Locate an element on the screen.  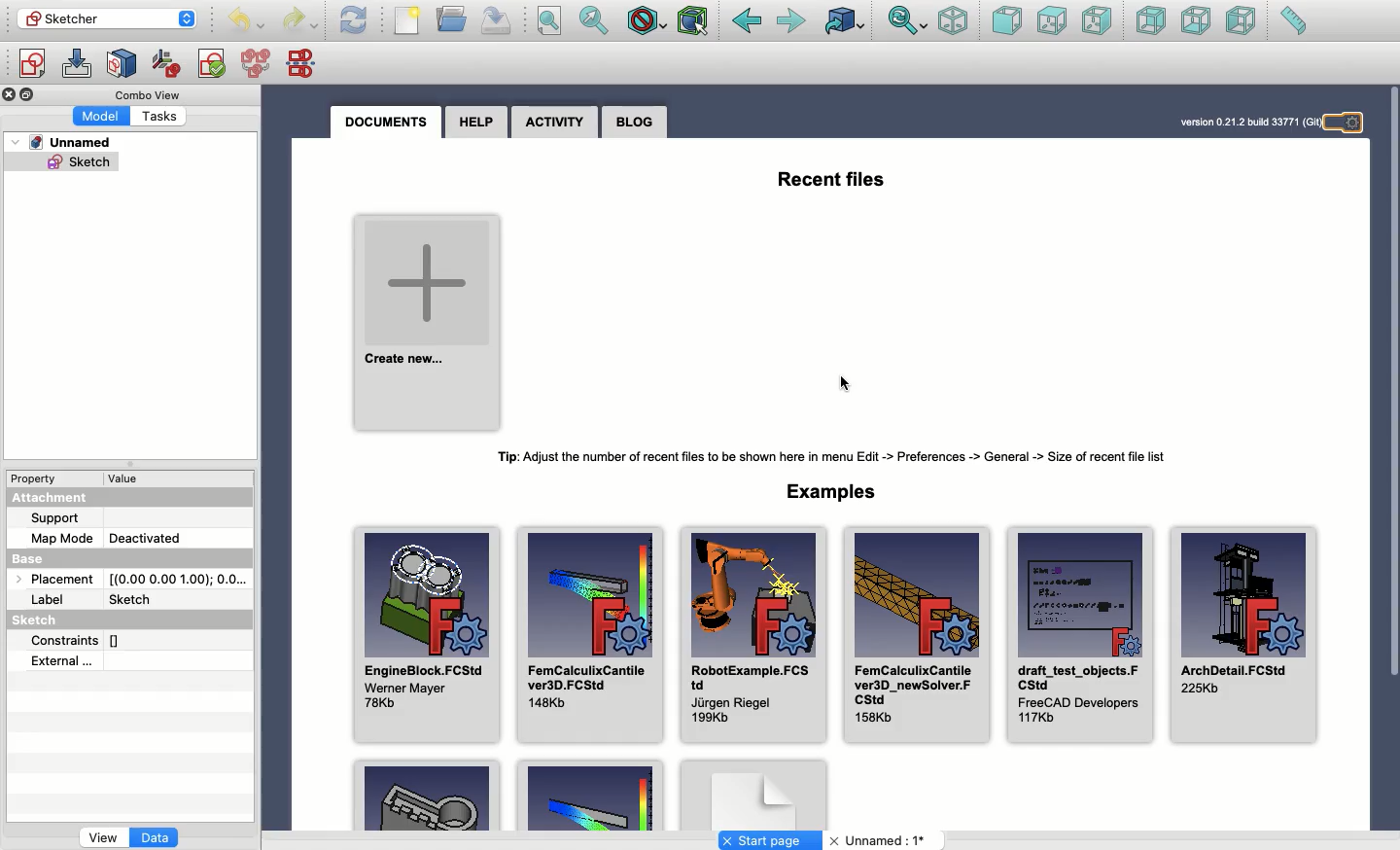
Unnamed: 1* is located at coordinates (877, 841).